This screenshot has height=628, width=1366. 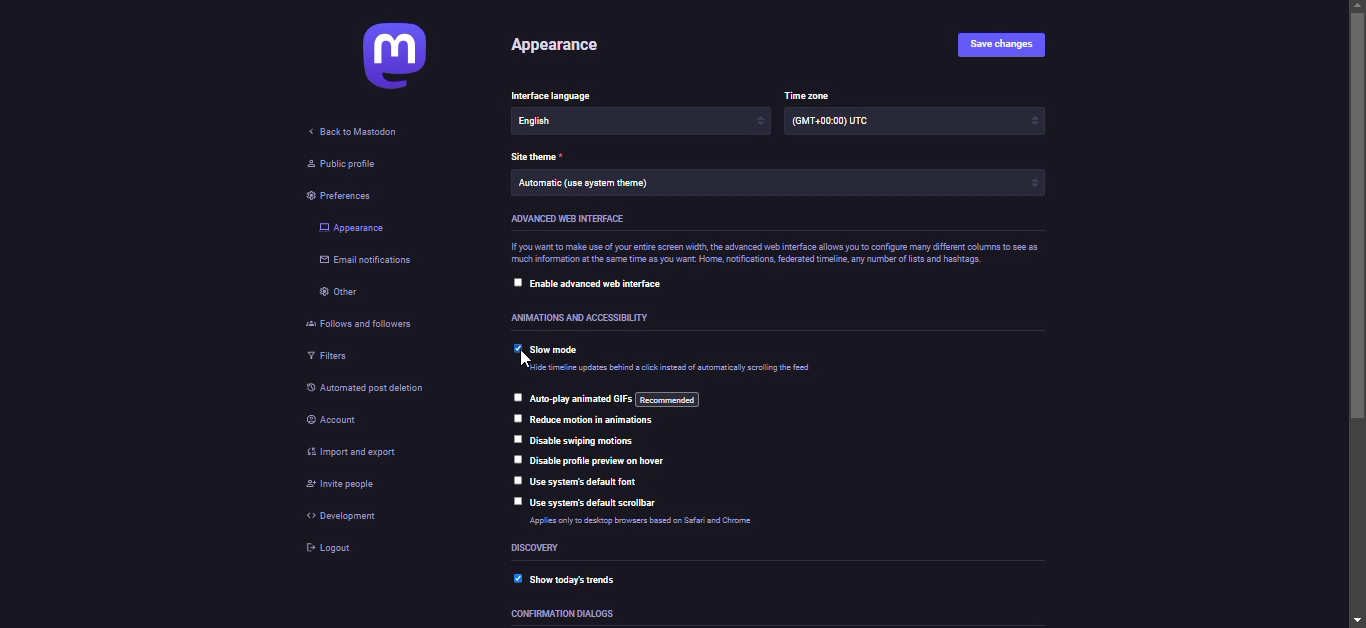 I want to click on interface language, so click(x=557, y=94).